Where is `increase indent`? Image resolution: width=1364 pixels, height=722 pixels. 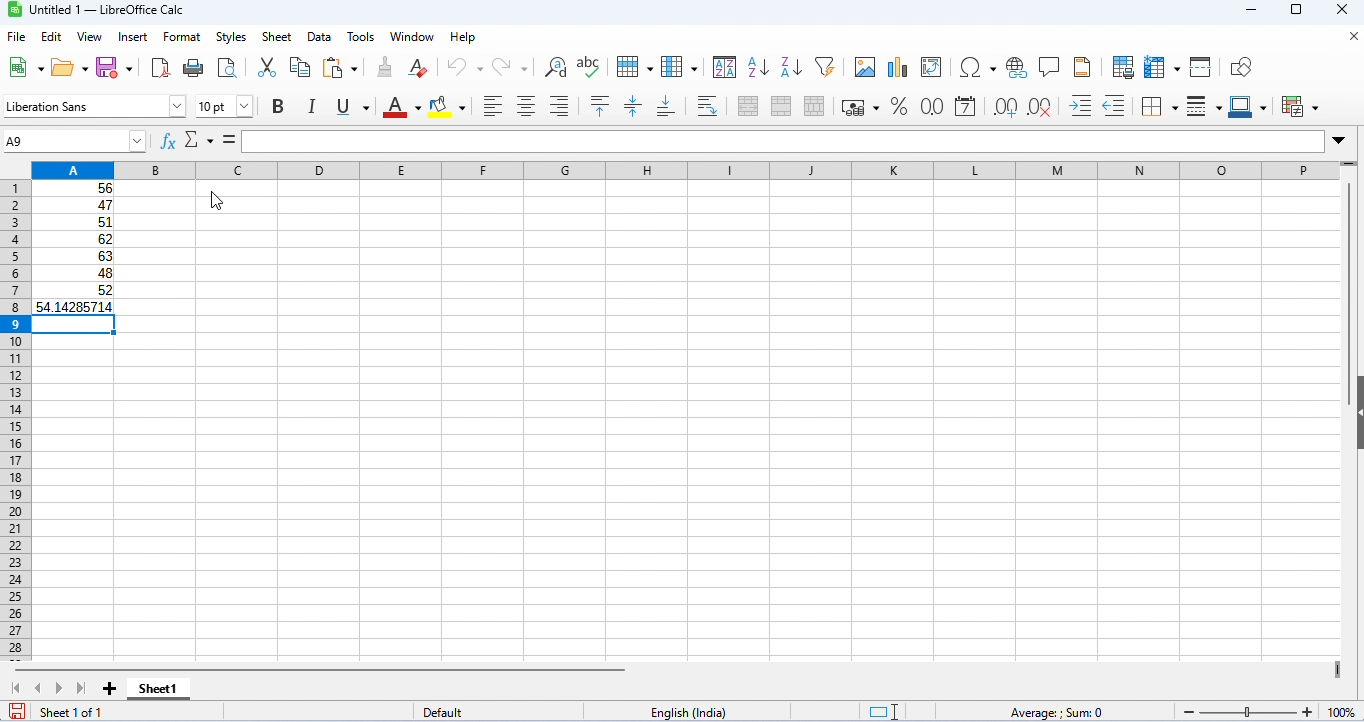 increase indent is located at coordinates (1081, 104).